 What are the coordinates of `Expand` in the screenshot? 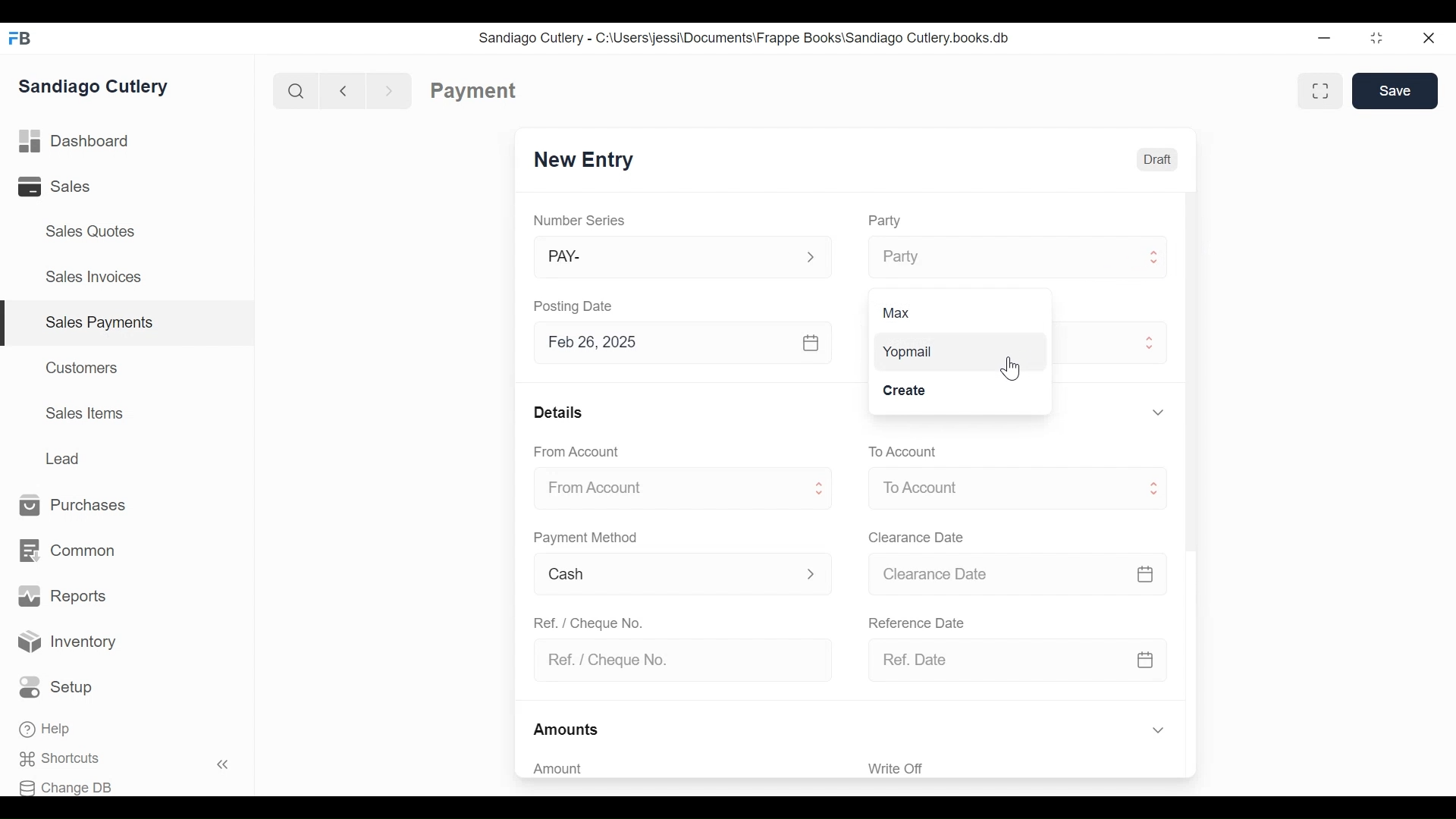 It's located at (1153, 489).